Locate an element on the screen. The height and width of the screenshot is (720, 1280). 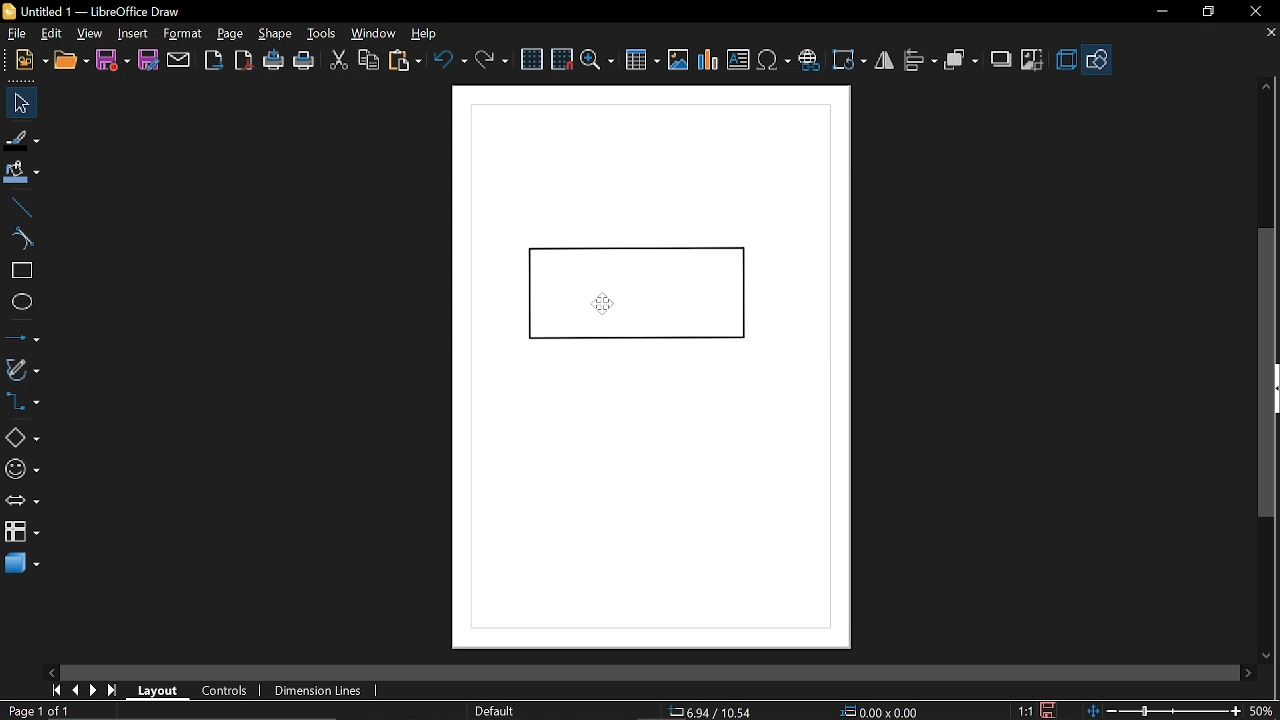
zoom is located at coordinates (598, 60).